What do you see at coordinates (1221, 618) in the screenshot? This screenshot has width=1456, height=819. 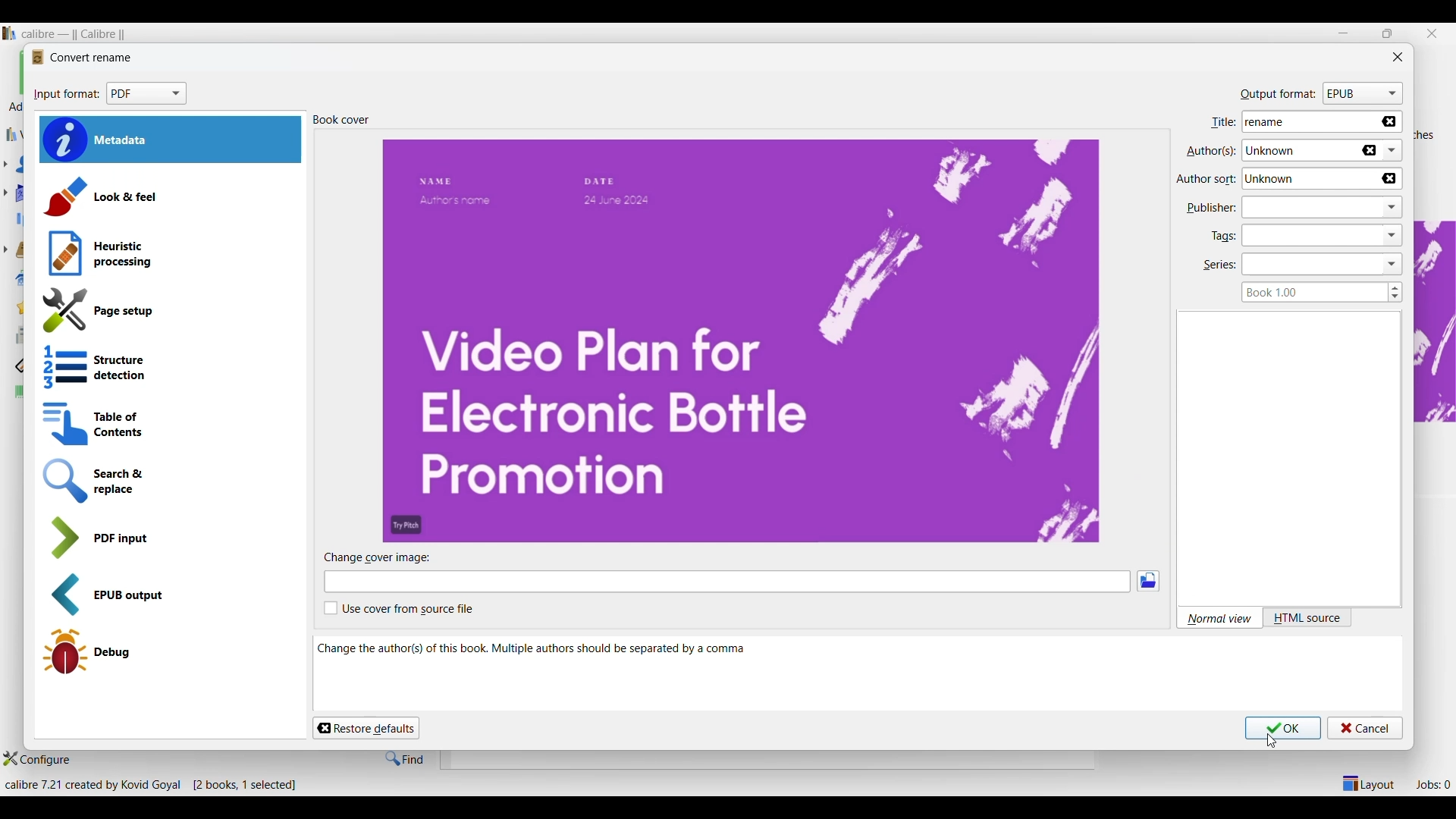 I see `Normal view` at bounding box center [1221, 618].